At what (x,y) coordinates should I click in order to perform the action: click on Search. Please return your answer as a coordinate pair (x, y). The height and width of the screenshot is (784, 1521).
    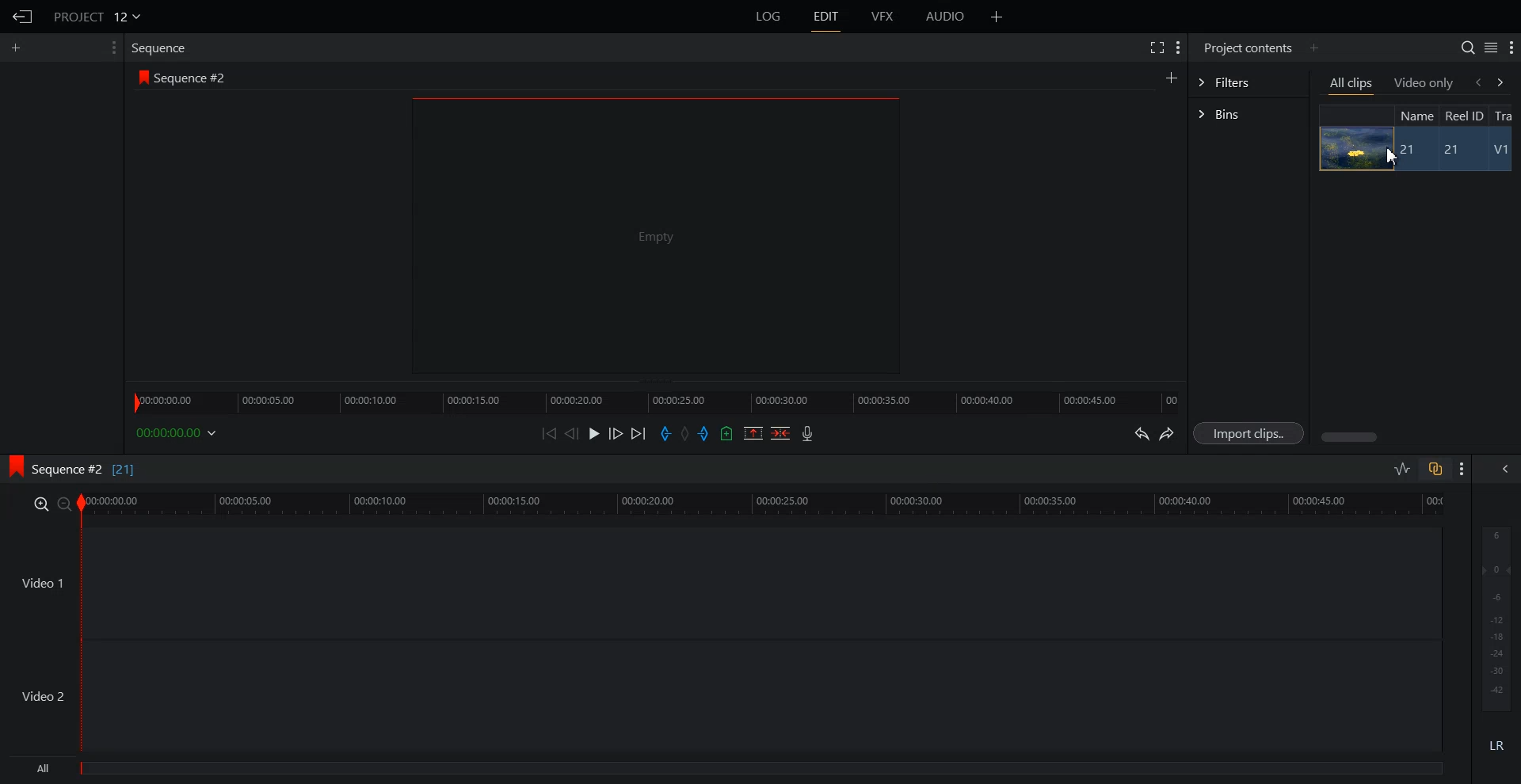
    Looking at the image, I should click on (1467, 48).